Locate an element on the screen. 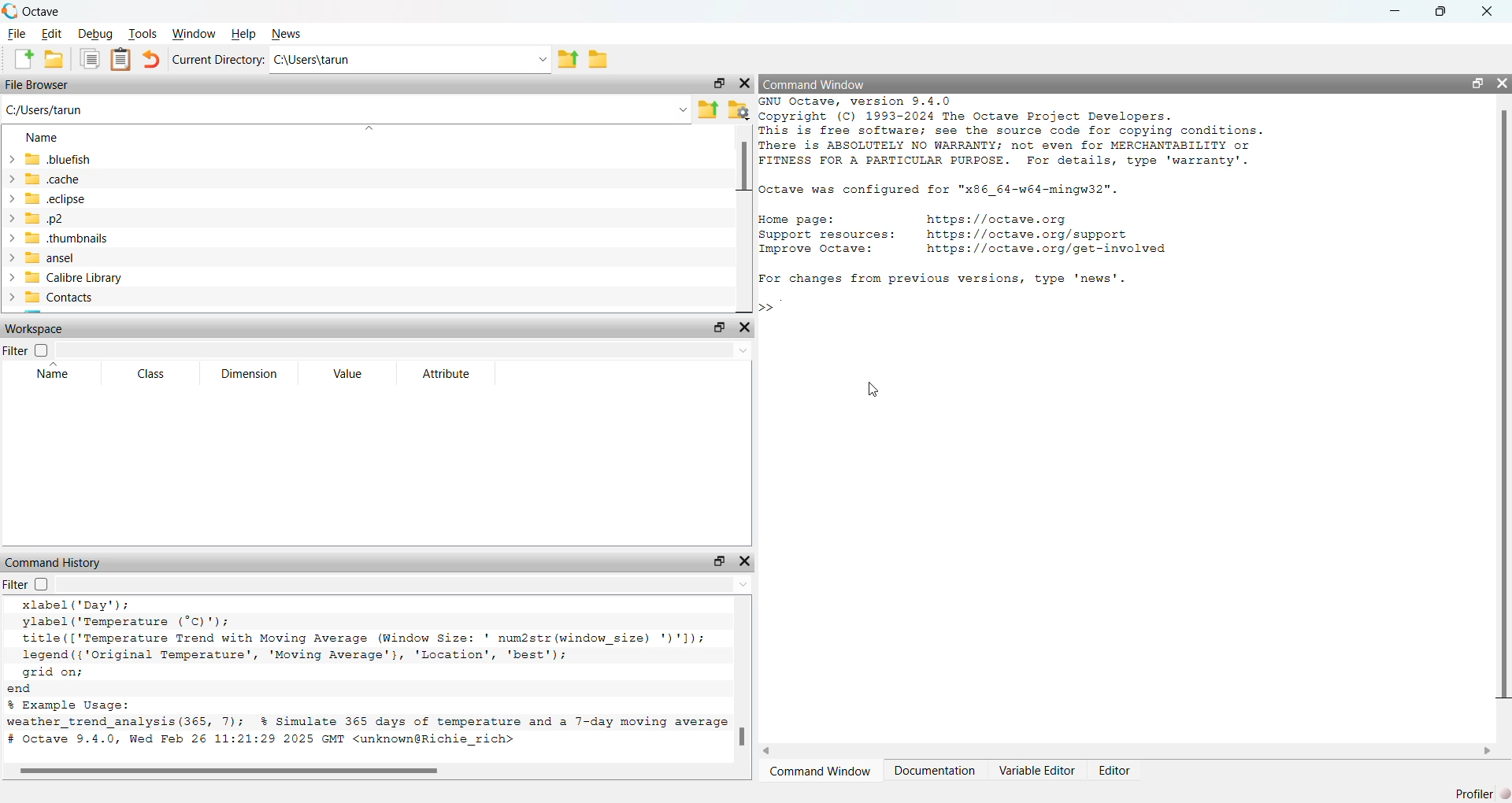 The height and width of the screenshot is (803, 1512). Help is located at coordinates (239, 33).